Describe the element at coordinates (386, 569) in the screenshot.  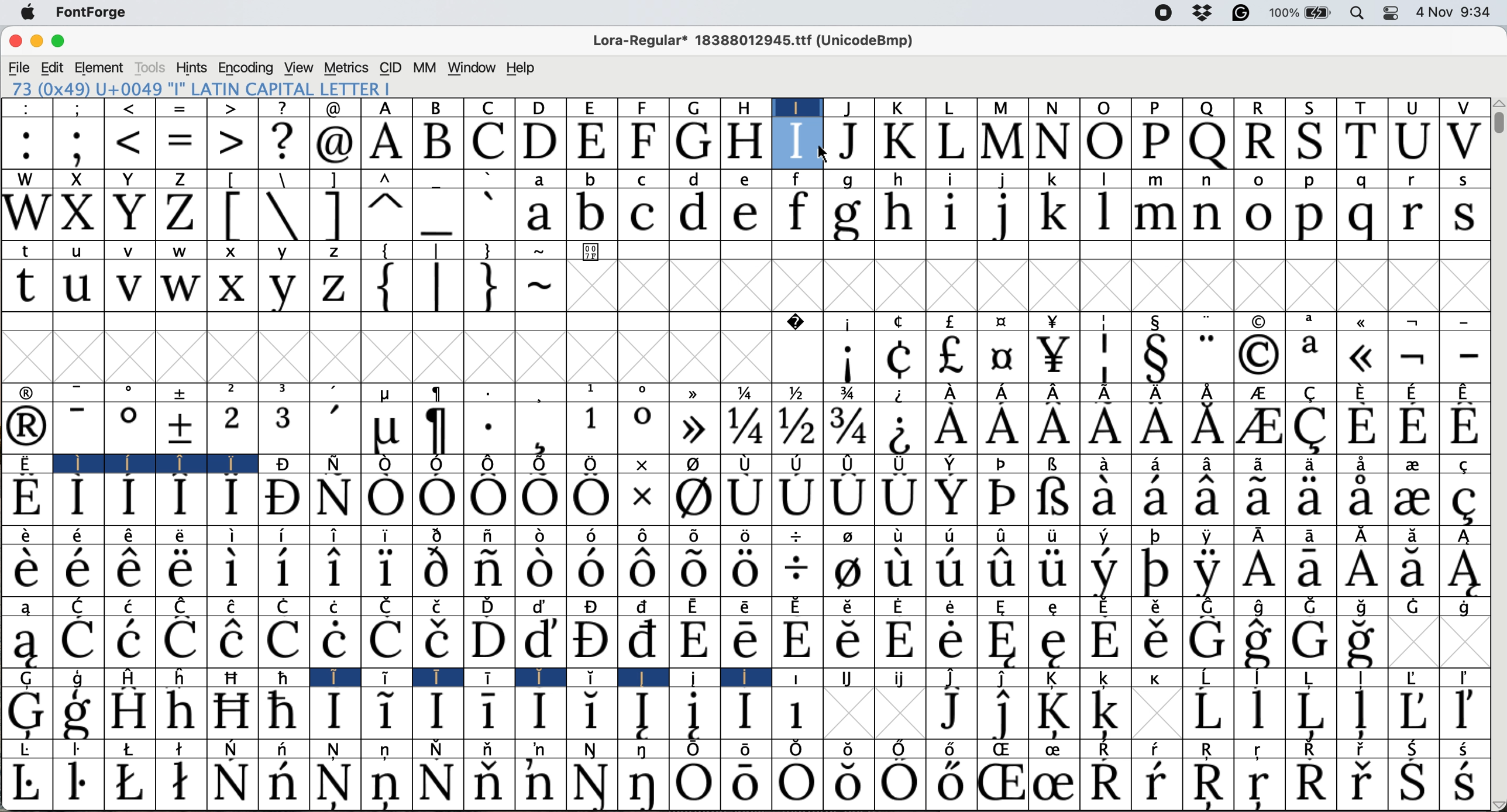
I see `Symbol` at that location.